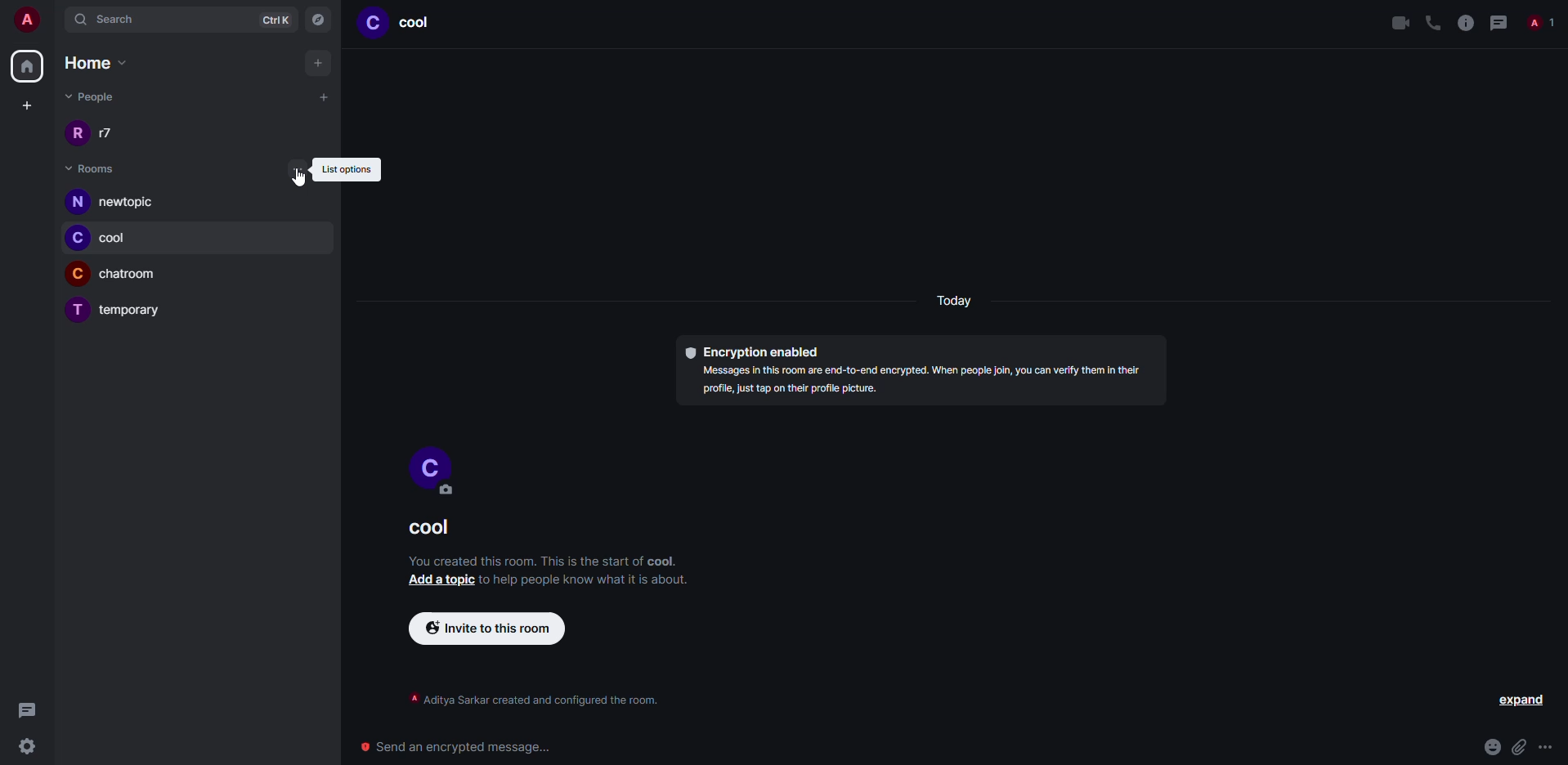 The width and height of the screenshot is (1568, 765). I want to click on add, so click(318, 62).